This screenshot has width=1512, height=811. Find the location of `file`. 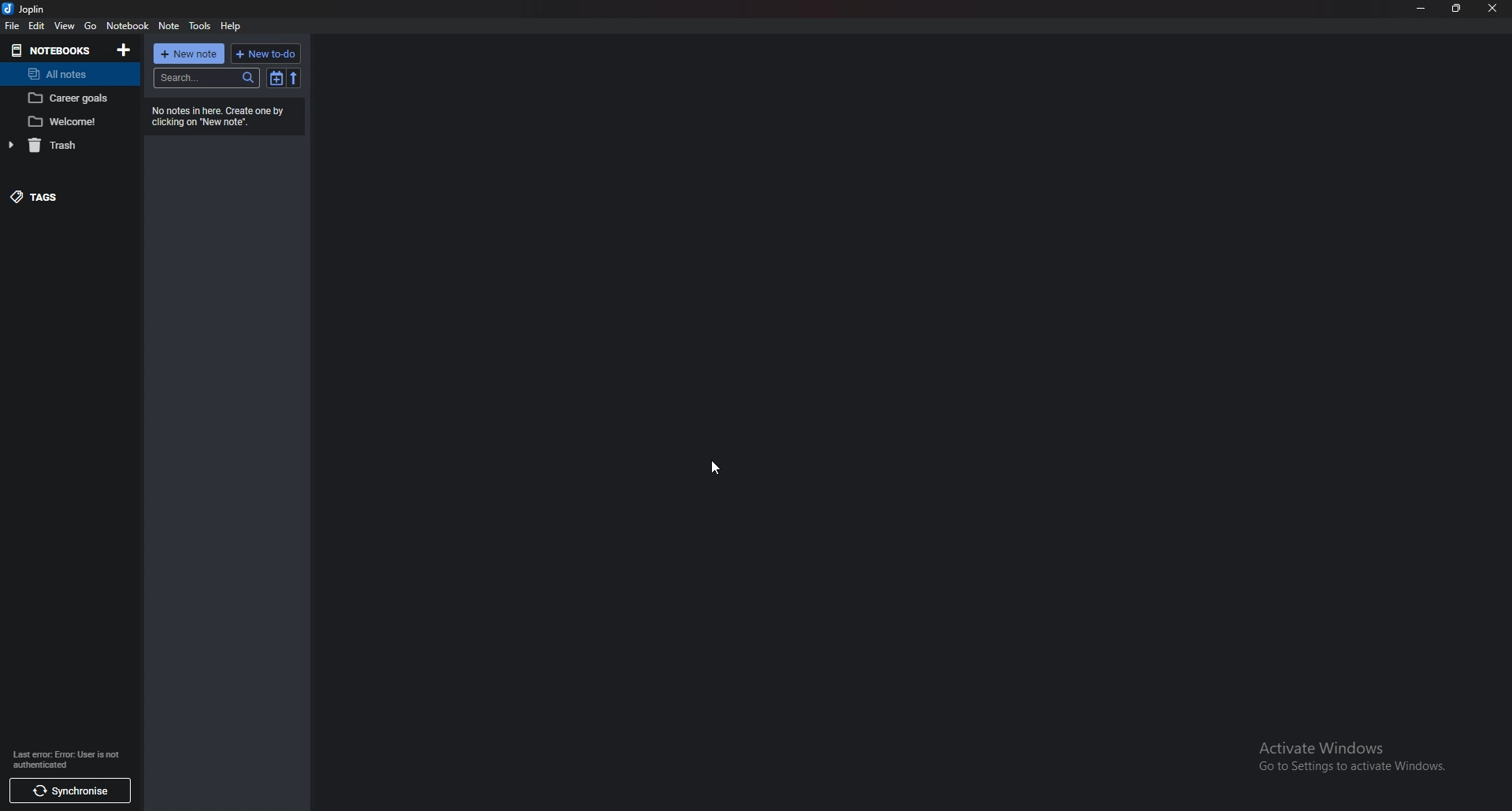

file is located at coordinates (13, 26).